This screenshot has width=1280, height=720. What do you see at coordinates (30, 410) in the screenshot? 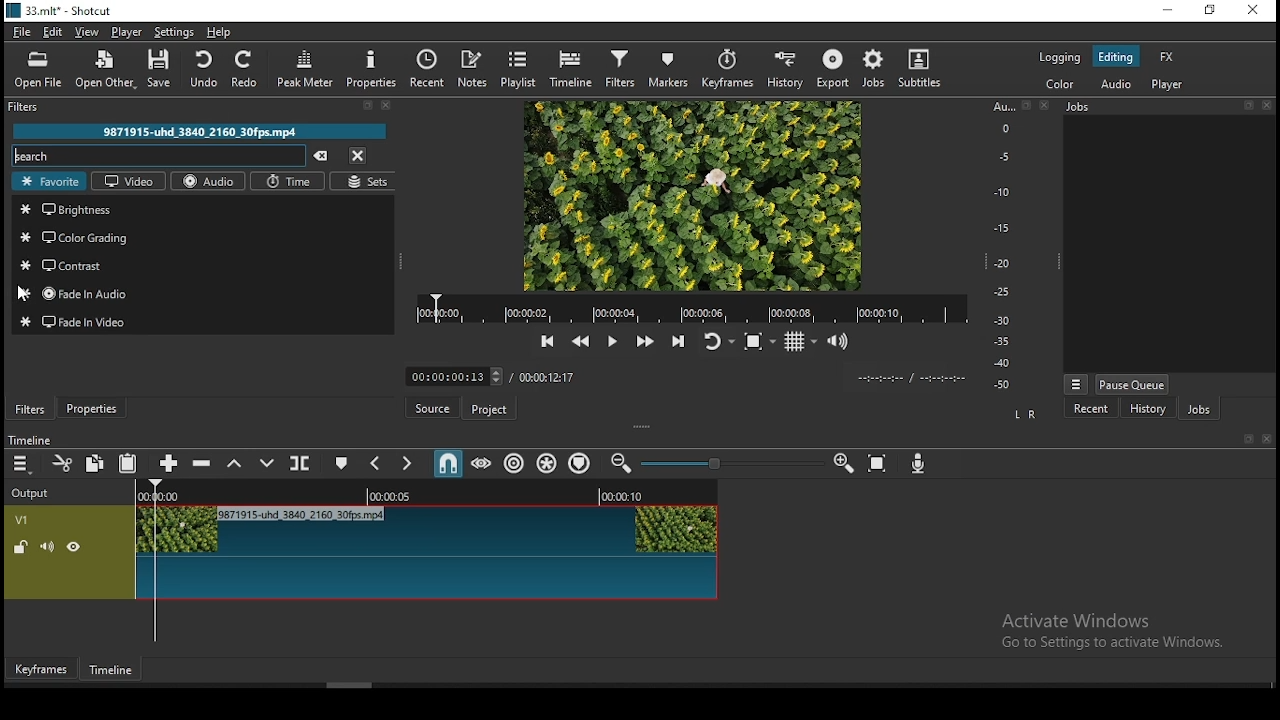
I see `filters` at bounding box center [30, 410].